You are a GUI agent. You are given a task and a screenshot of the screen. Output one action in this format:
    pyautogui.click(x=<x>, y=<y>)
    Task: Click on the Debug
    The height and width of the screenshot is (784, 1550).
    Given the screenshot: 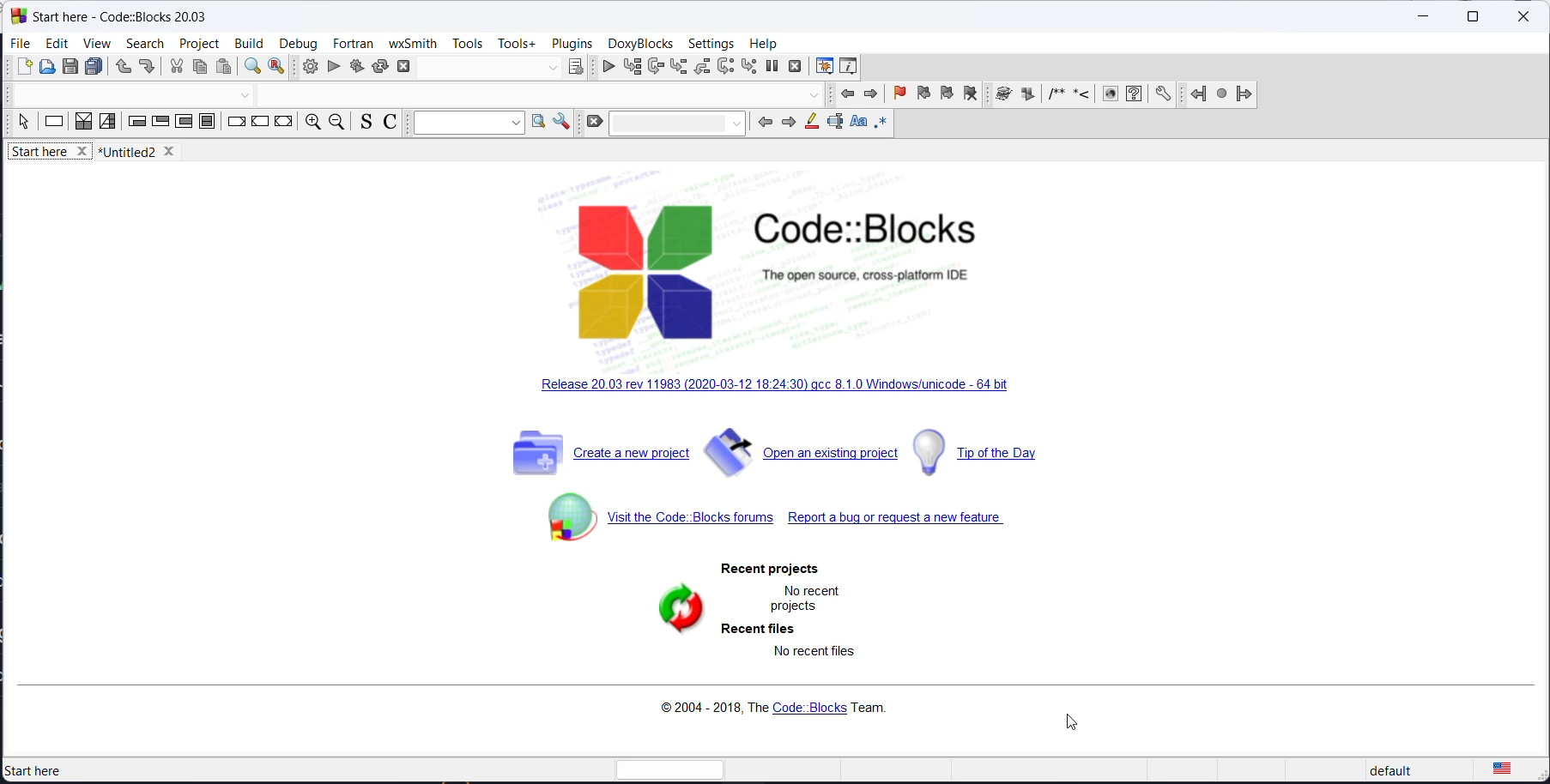 What is the action you would take?
    pyautogui.click(x=298, y=41)
    